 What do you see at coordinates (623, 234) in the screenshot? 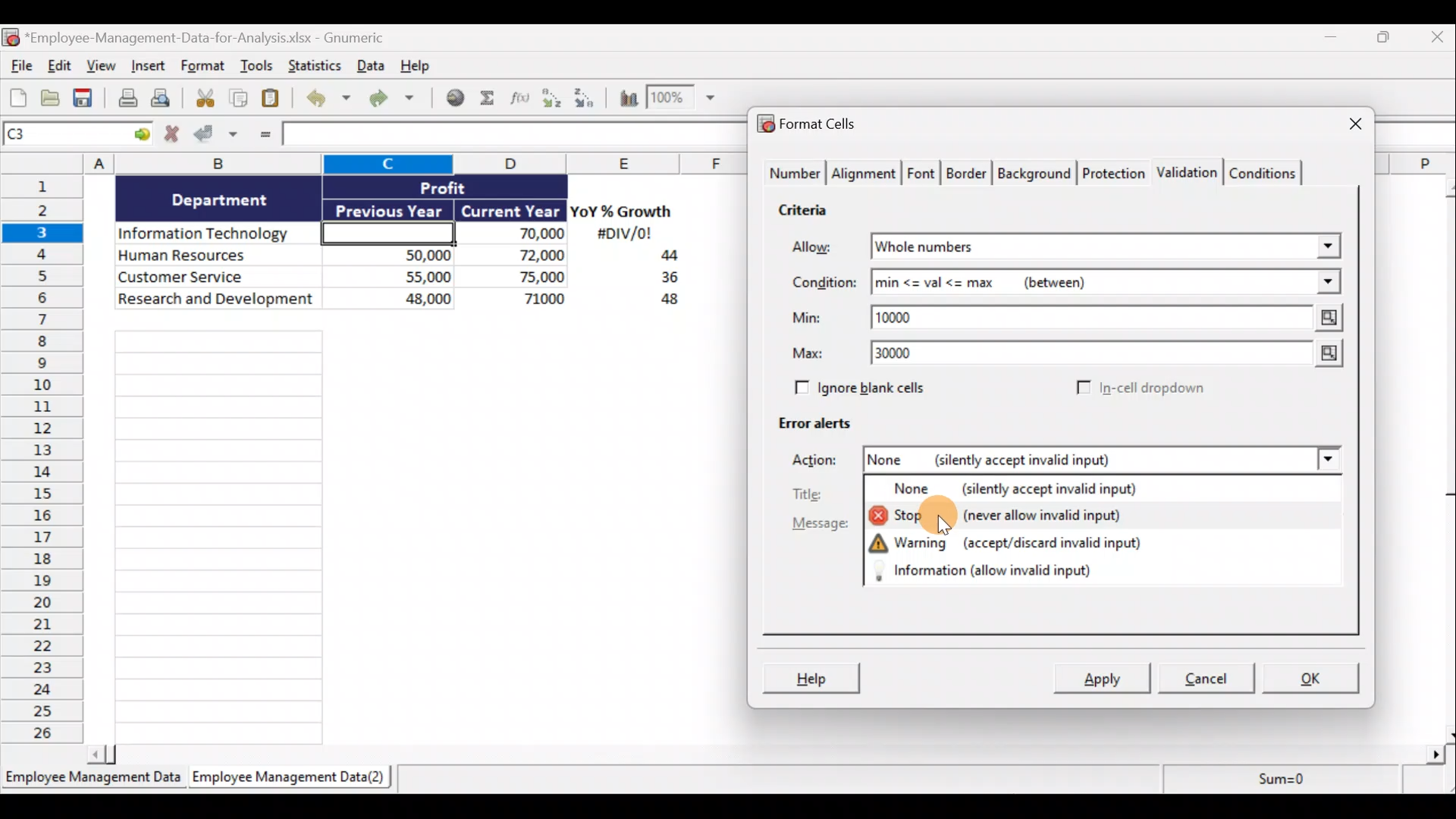
I see `#DIV/0!` at bounding box center [623, 234].